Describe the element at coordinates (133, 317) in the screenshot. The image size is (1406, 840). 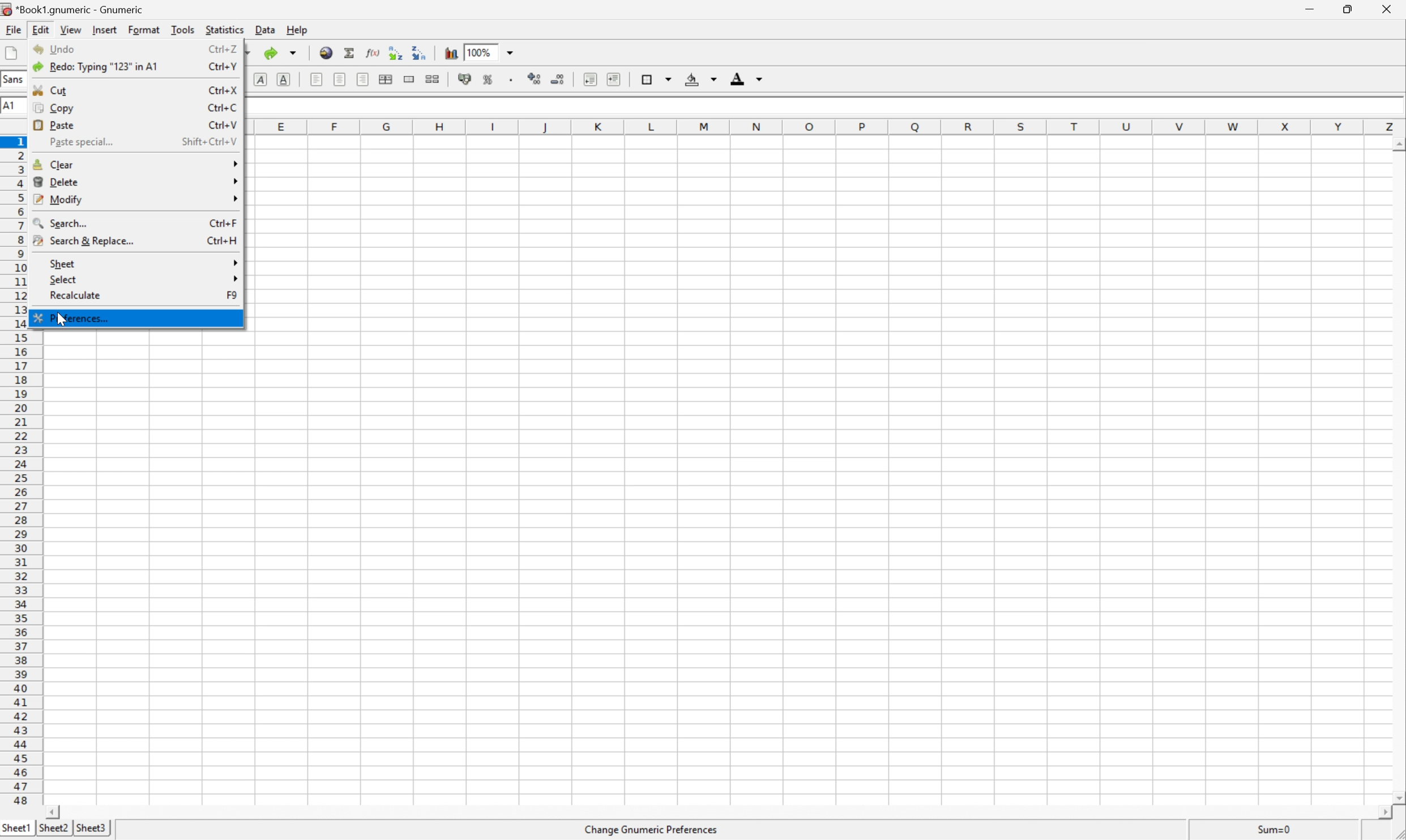
I see `preferences` at that location.